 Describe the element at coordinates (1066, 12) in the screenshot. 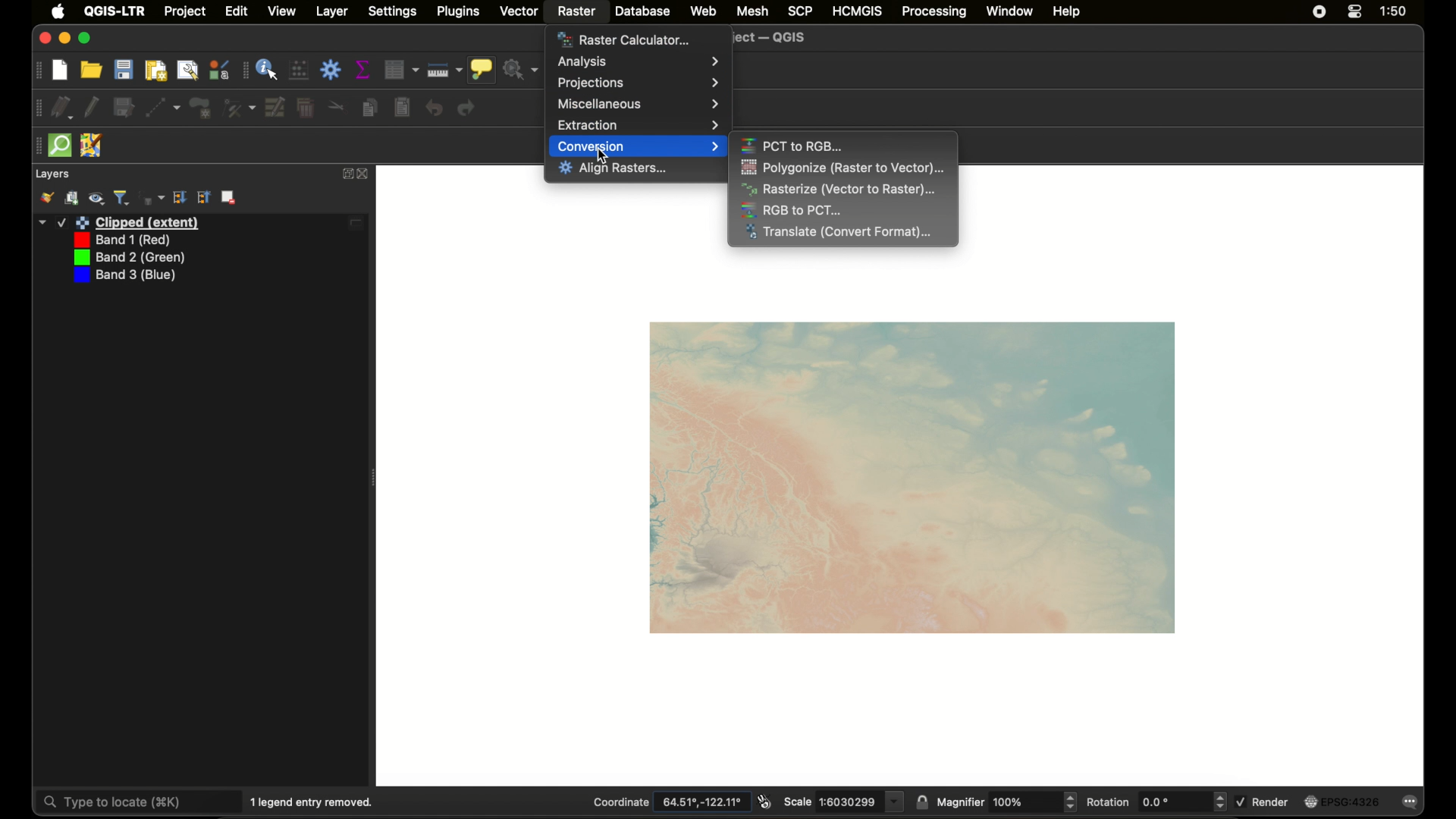

I see `help` at that location.